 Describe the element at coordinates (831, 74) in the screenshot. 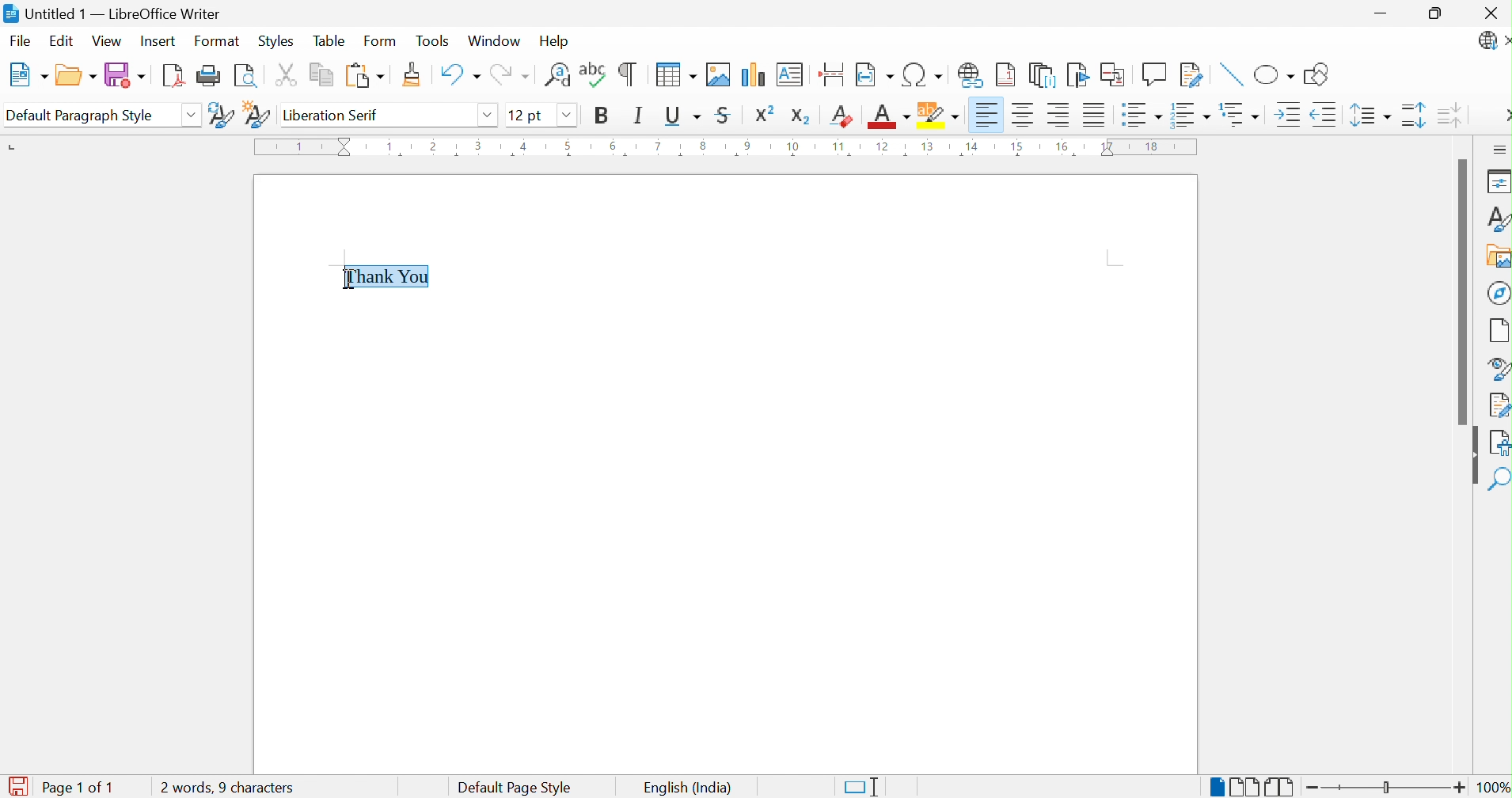

I see `Insert Page Break` at that location.